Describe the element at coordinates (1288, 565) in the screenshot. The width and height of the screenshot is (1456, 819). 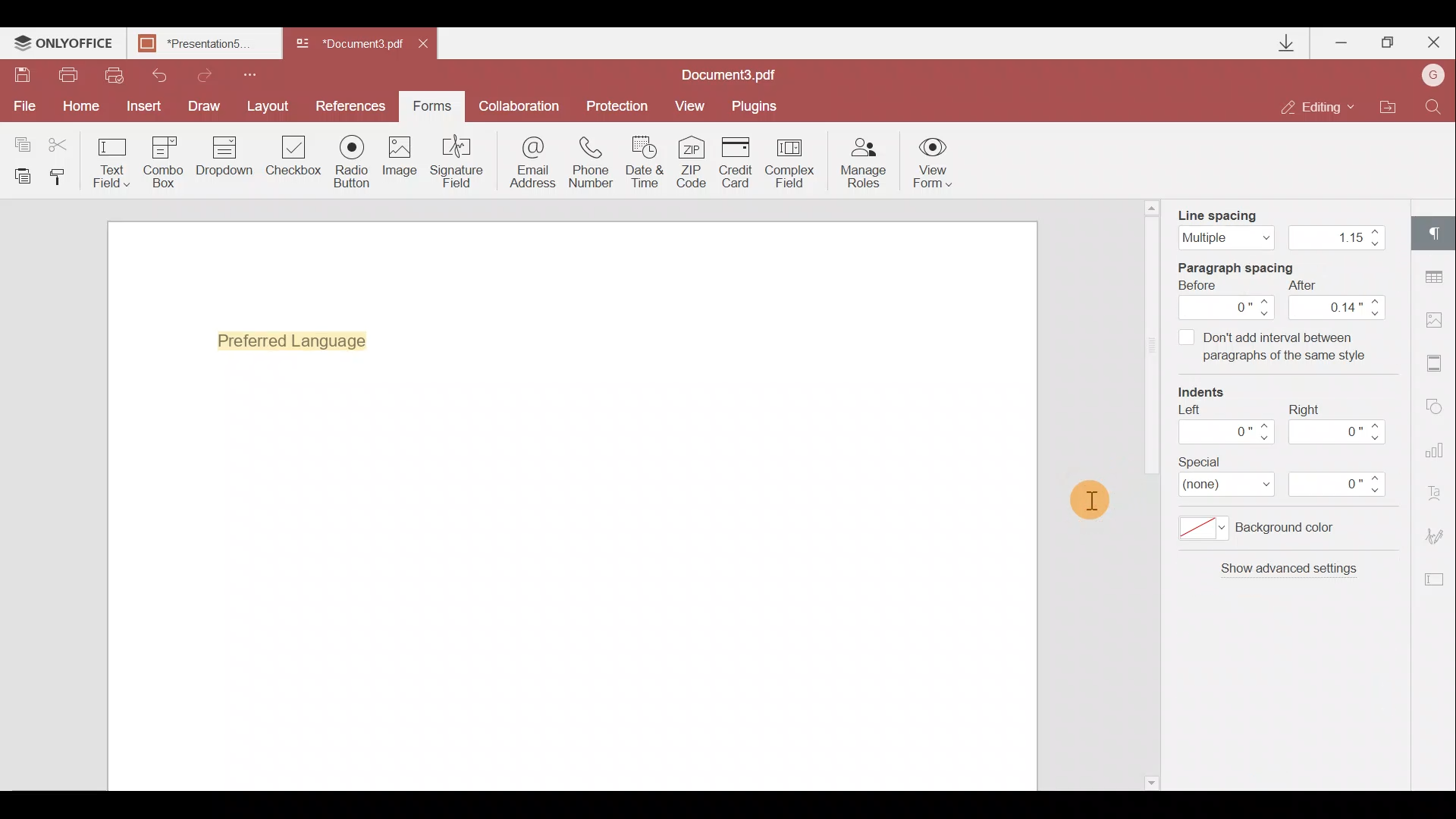
I see `Show advanced settings` at that location.